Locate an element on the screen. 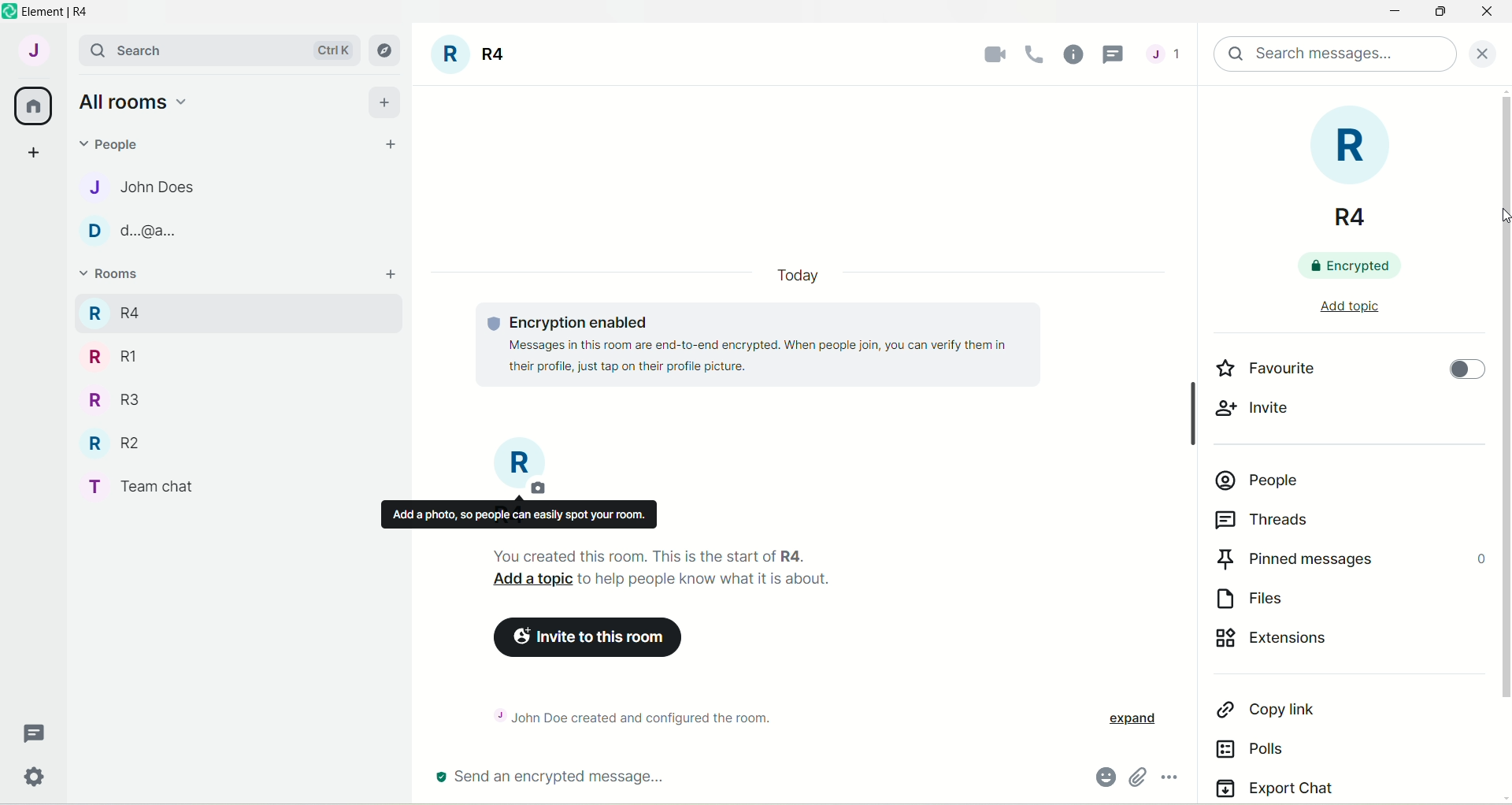  You created this room. This is the start of R4.
Add a topic to help people know what it is about. is located at coordinates (713, 569).